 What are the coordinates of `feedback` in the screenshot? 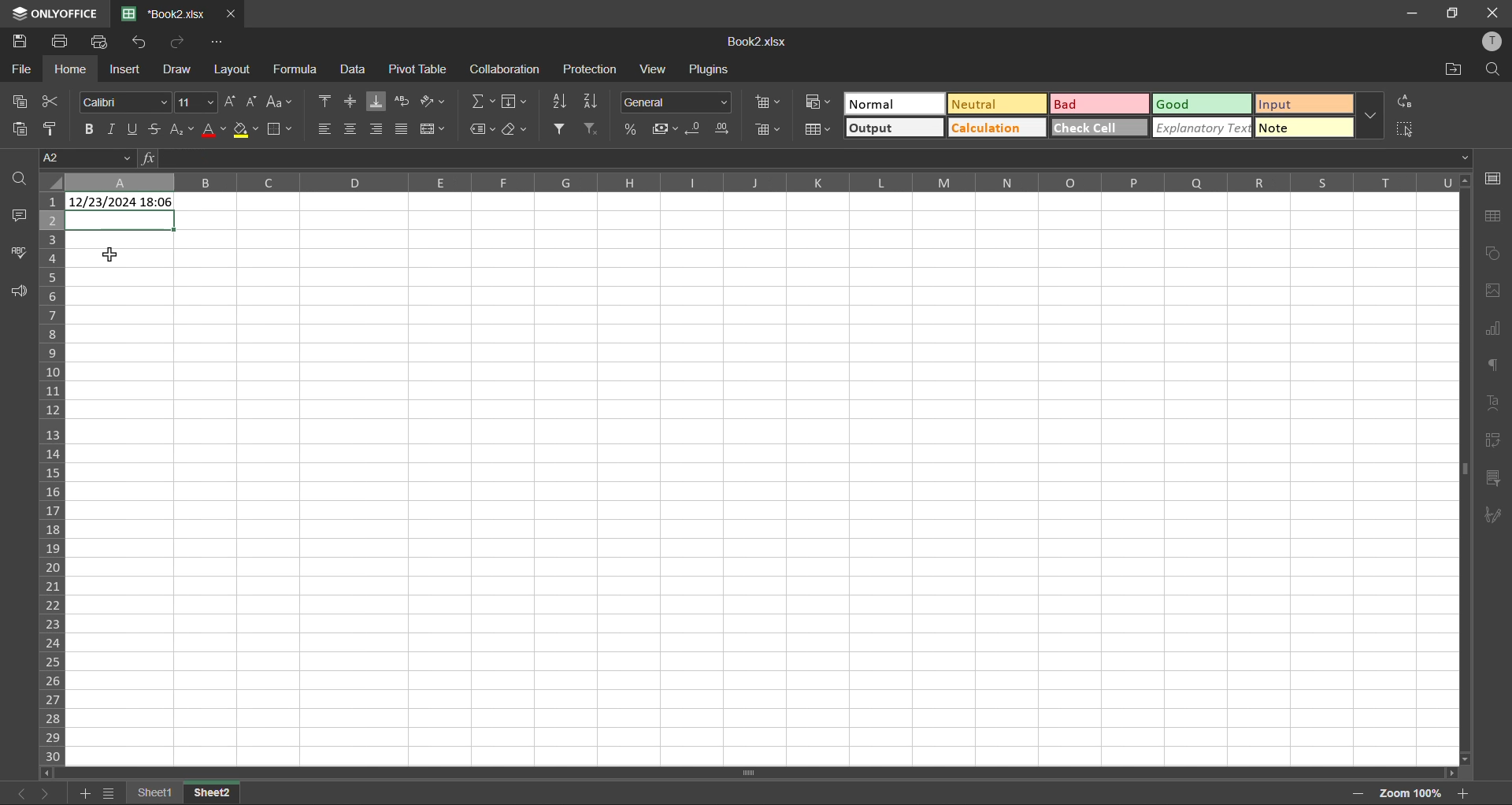 It's located at (17, 291).